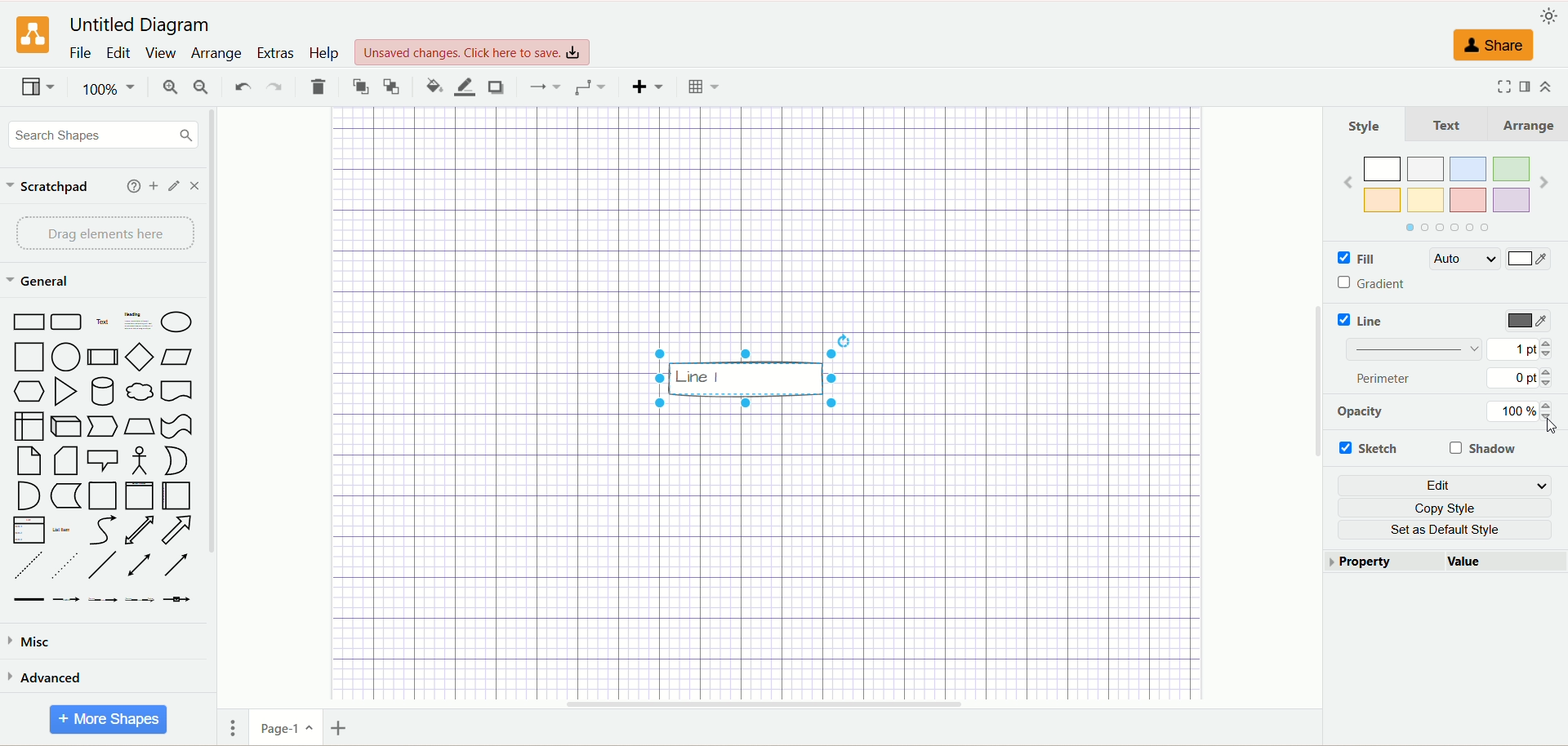  What do you see at coordinates (65, 392) in the screenshot?
I see `Triangle` at bounding box center [65, 392].